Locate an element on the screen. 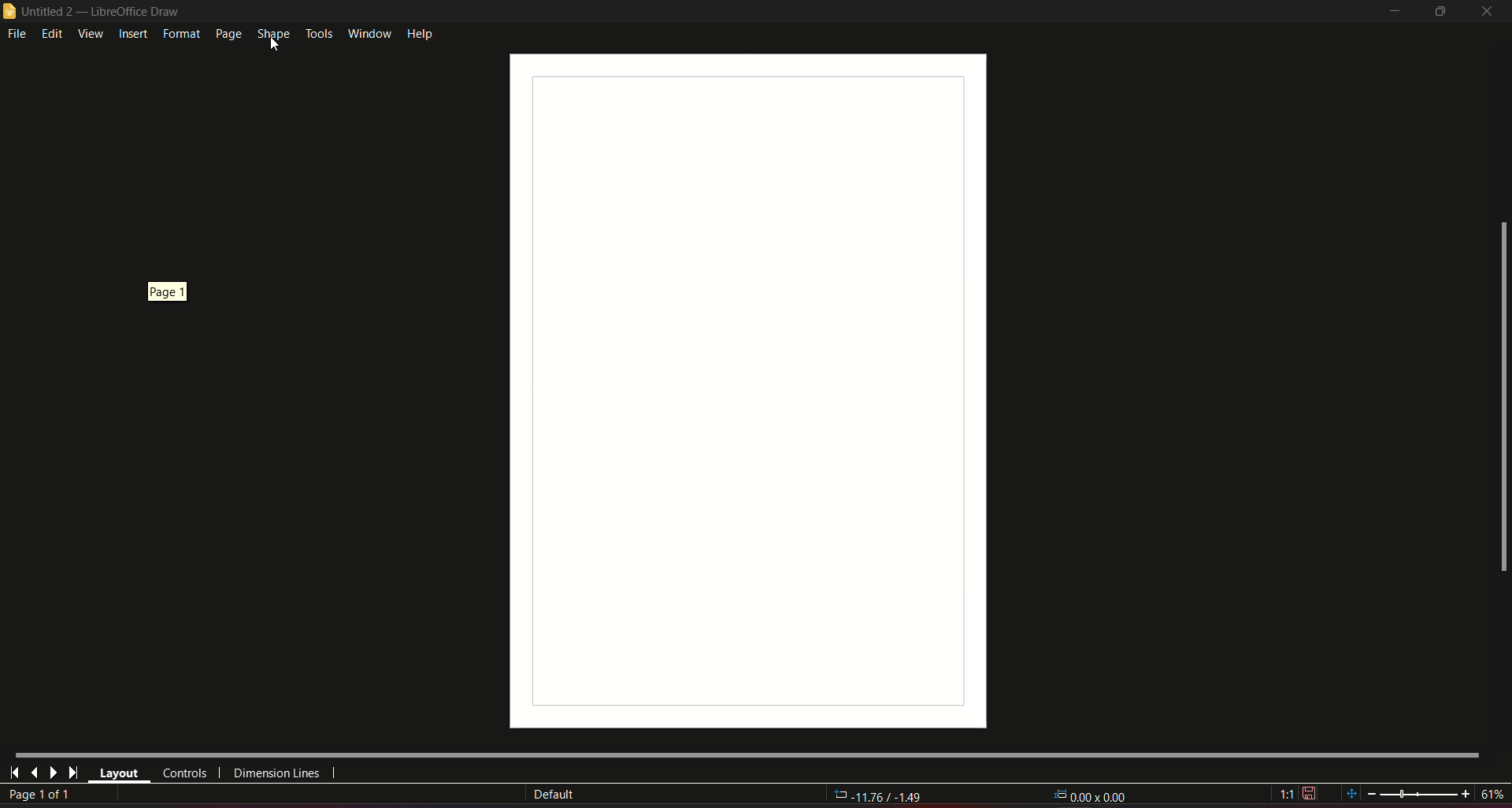  help is located at coordinates (421, 32).